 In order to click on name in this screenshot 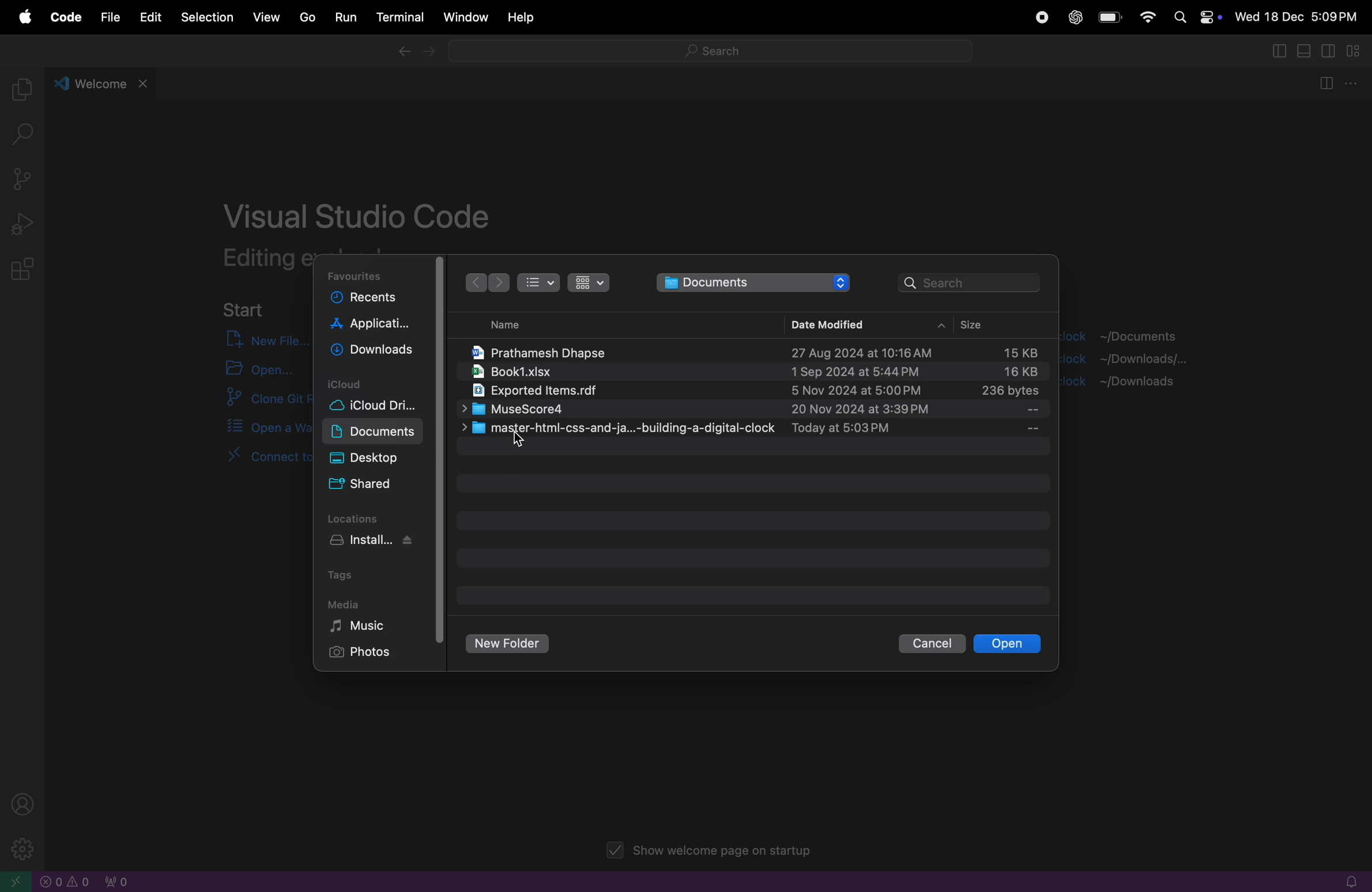, I will do `click(497, 325)`.